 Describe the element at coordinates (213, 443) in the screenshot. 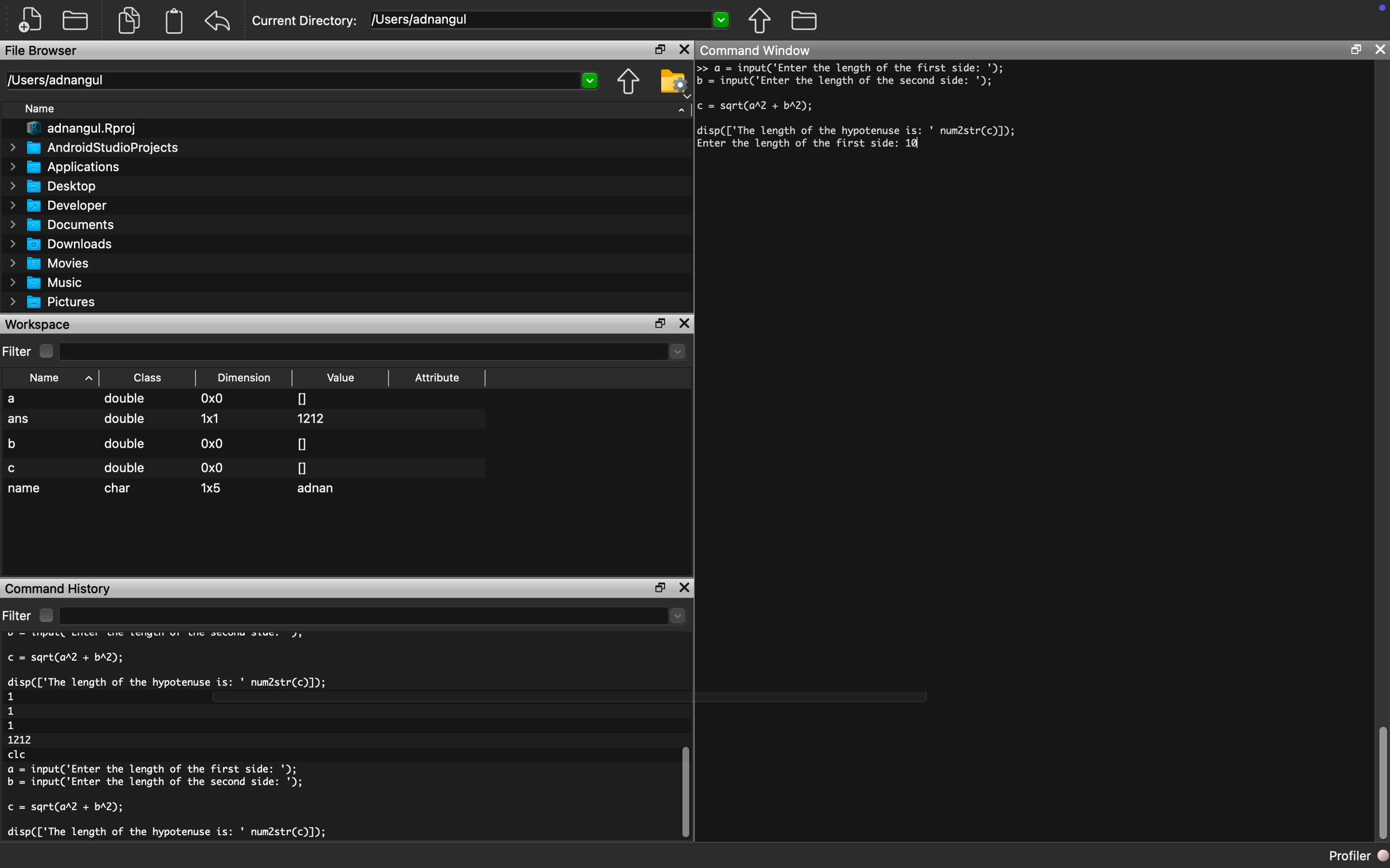

I see `0x0` at that location.